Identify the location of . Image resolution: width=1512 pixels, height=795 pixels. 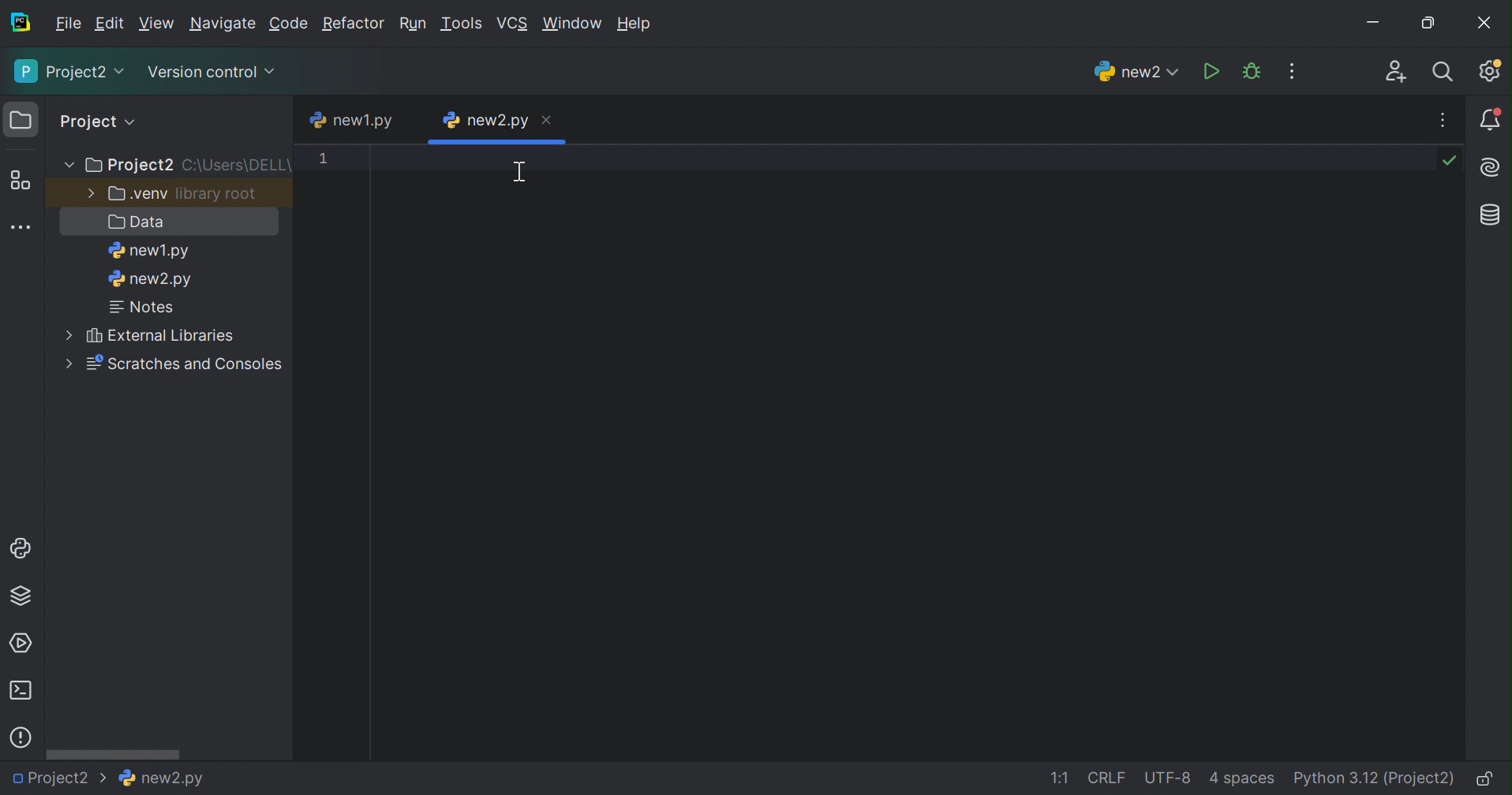
(159, 778).